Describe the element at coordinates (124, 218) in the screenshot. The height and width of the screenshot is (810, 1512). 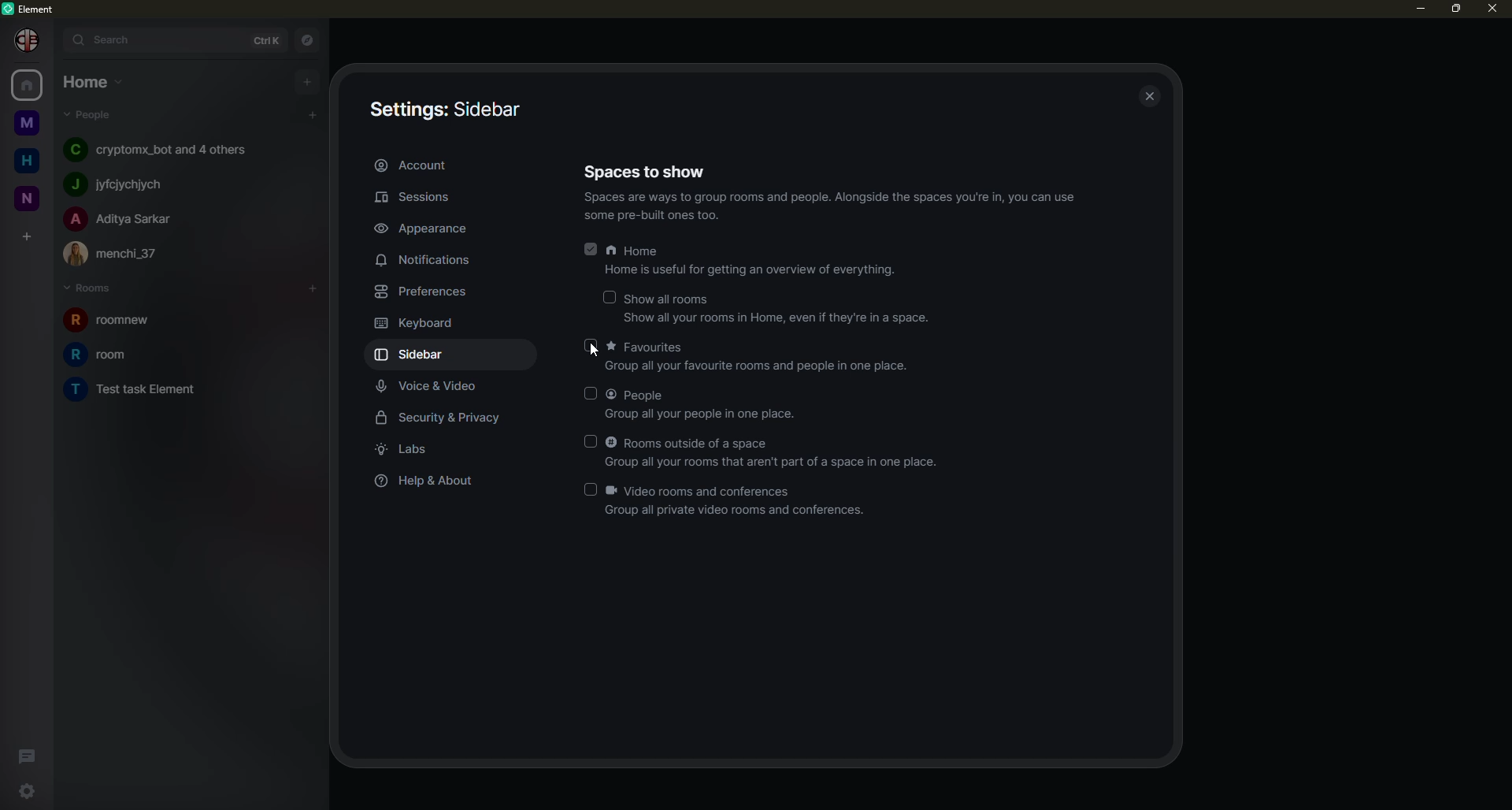
I see `people` at that location.